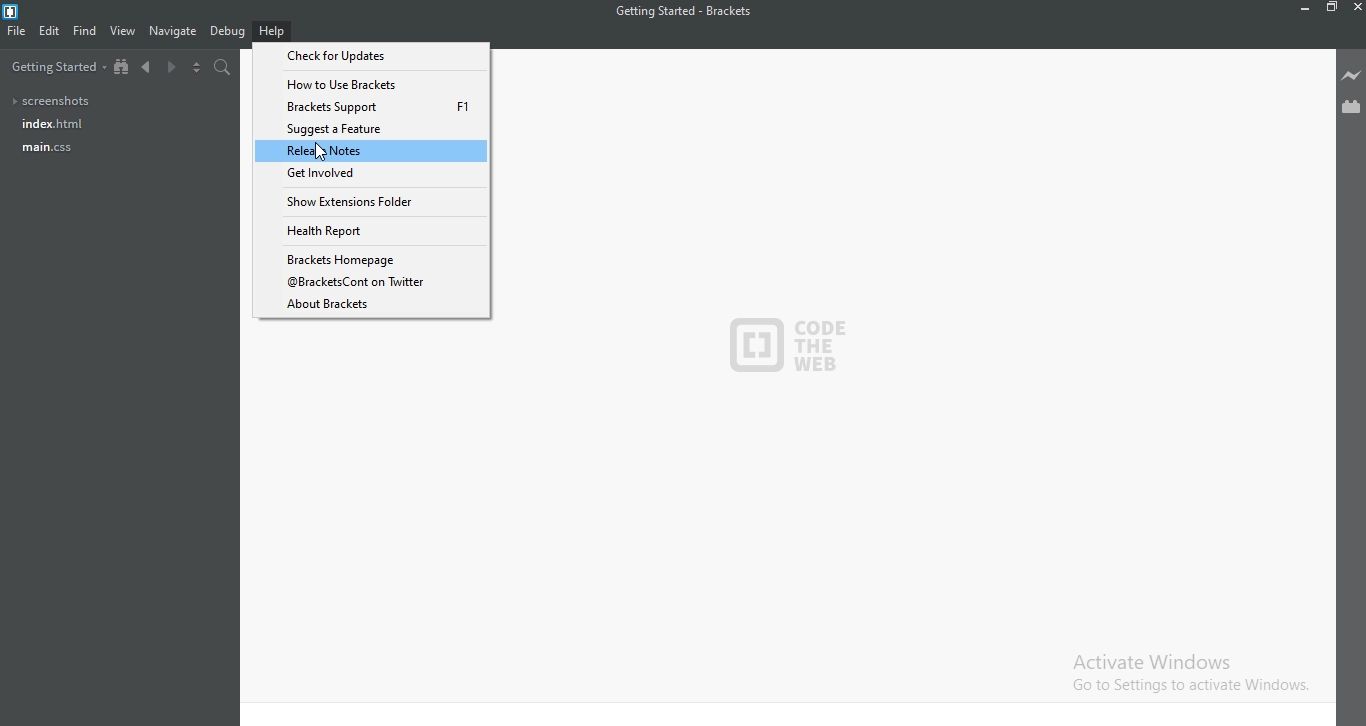  What do you see at coordinates (15, 32) in the screenshot?
I see `File` at bounding box center [15, 32].